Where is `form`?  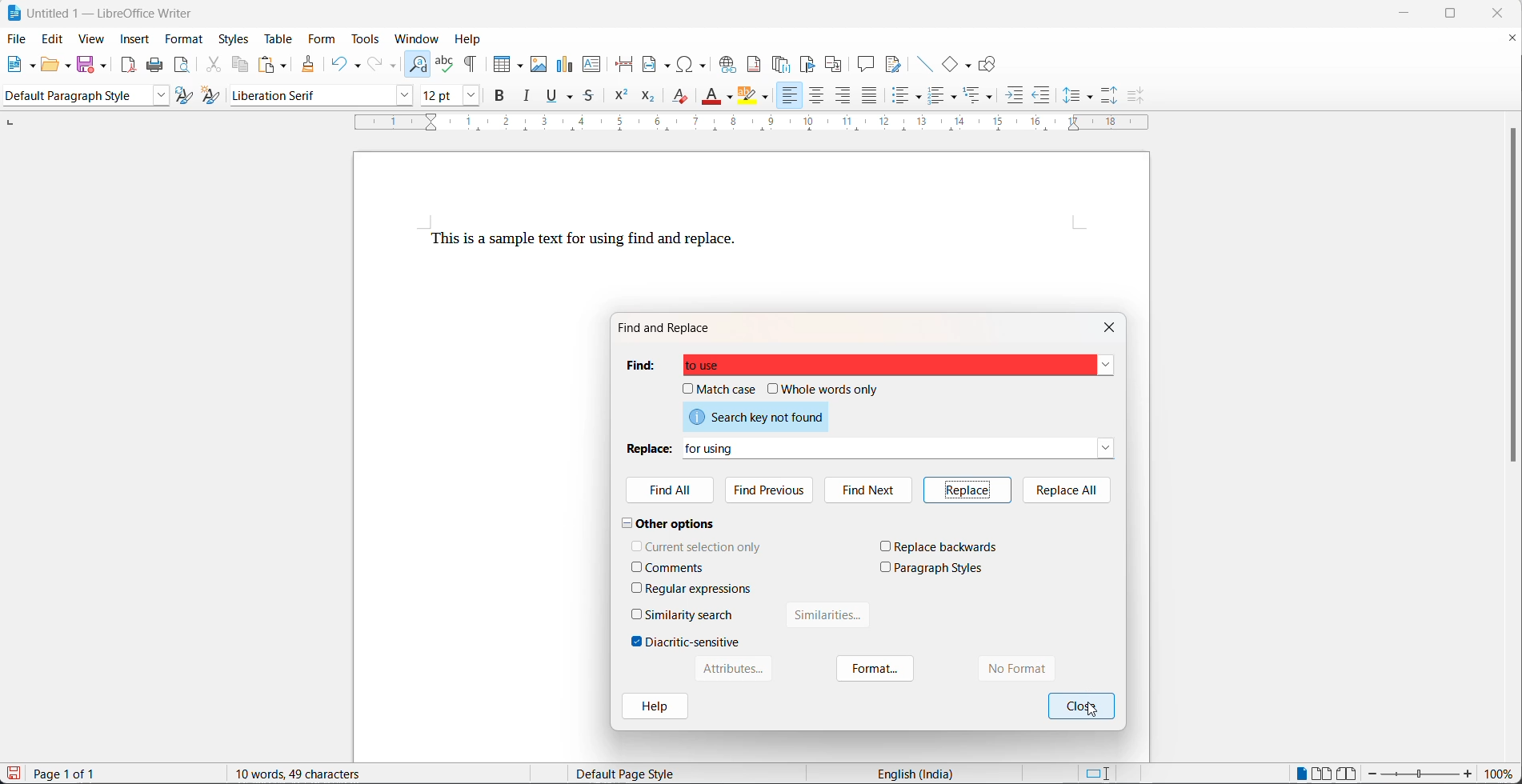 form is located at coordinates (321, 40).